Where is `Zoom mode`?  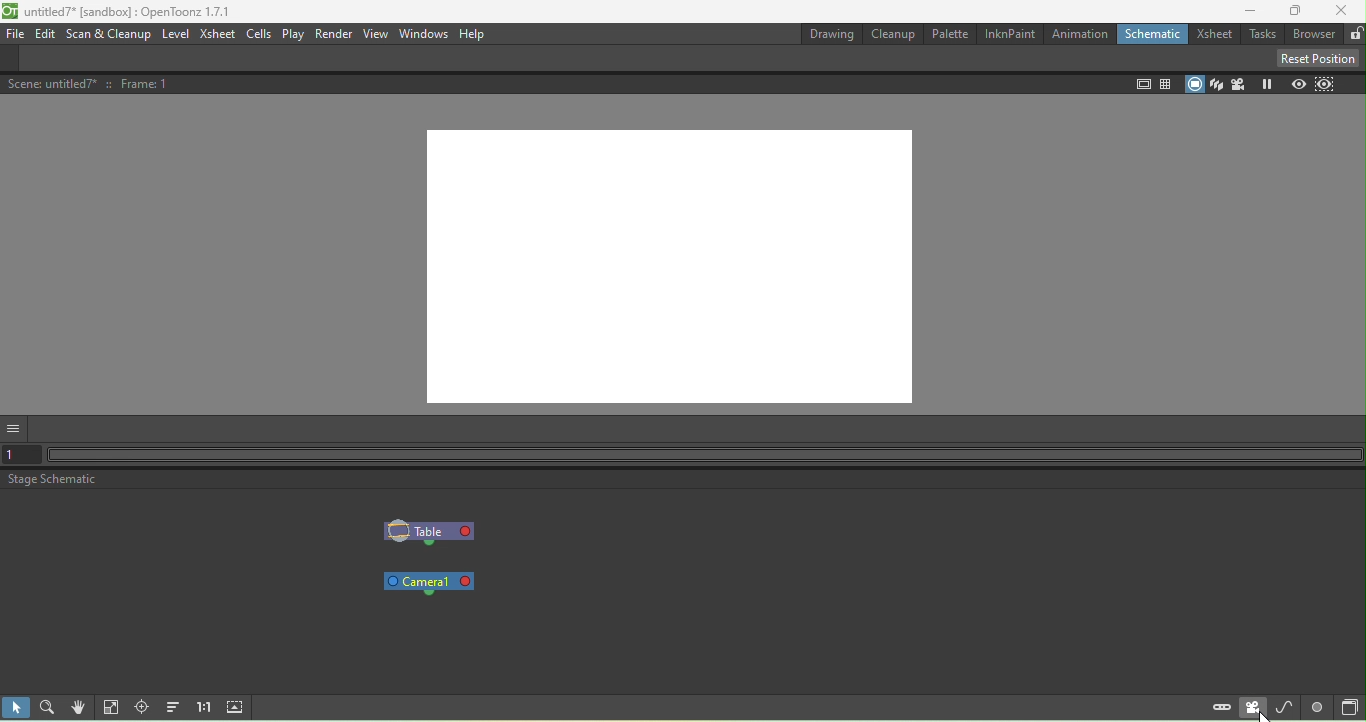
Zoom mode is located at coordinates (51, 706).